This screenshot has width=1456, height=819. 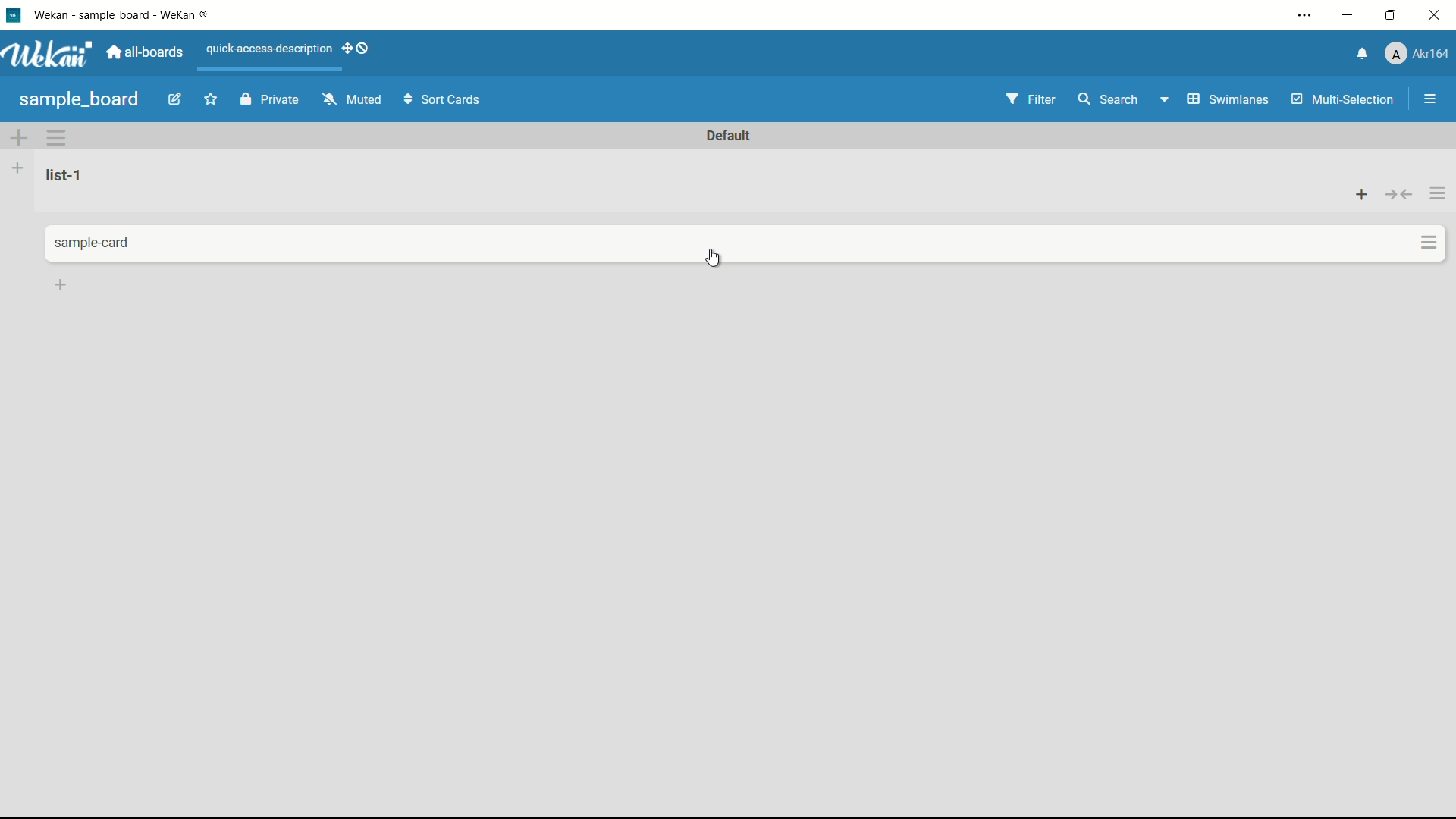 What do you see at coordinates (1307, 17) in the screenshot?
I see `settings and more` at bounding box center [1307, 17].